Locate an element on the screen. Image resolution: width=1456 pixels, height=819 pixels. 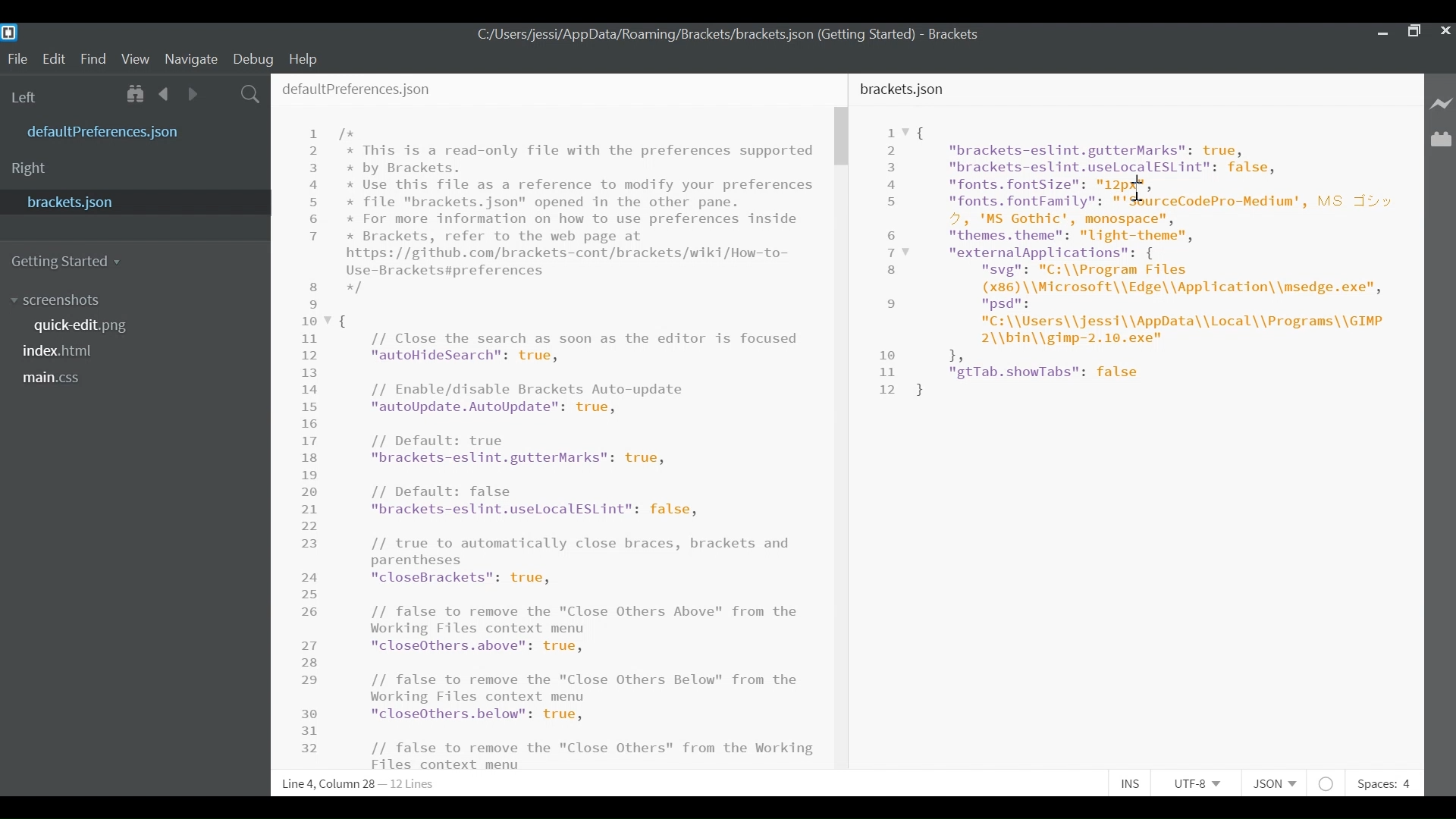
Debug is located at coordinates (252, 59).